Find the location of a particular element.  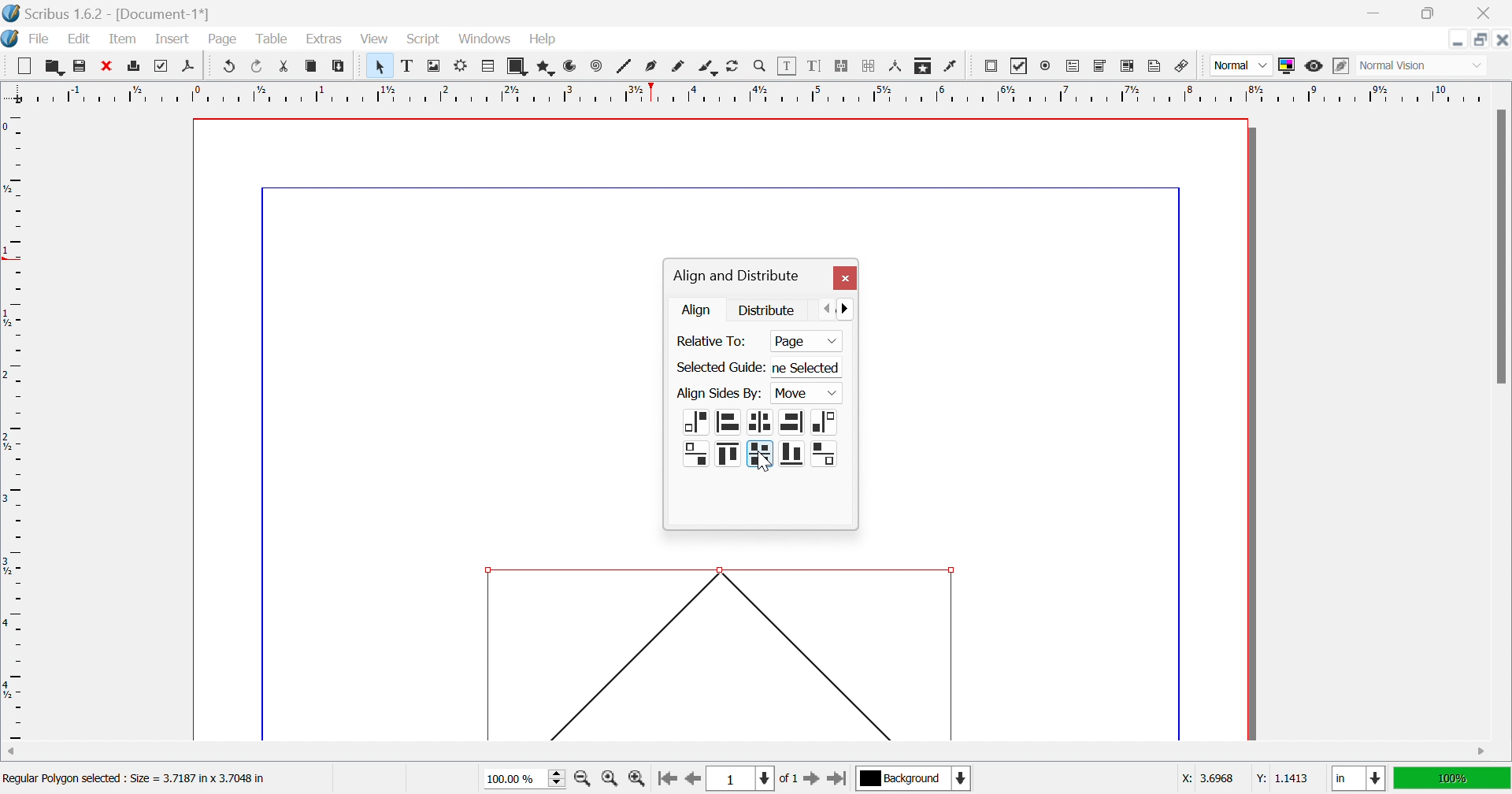

Polygon is located at coordinates (547, 68).